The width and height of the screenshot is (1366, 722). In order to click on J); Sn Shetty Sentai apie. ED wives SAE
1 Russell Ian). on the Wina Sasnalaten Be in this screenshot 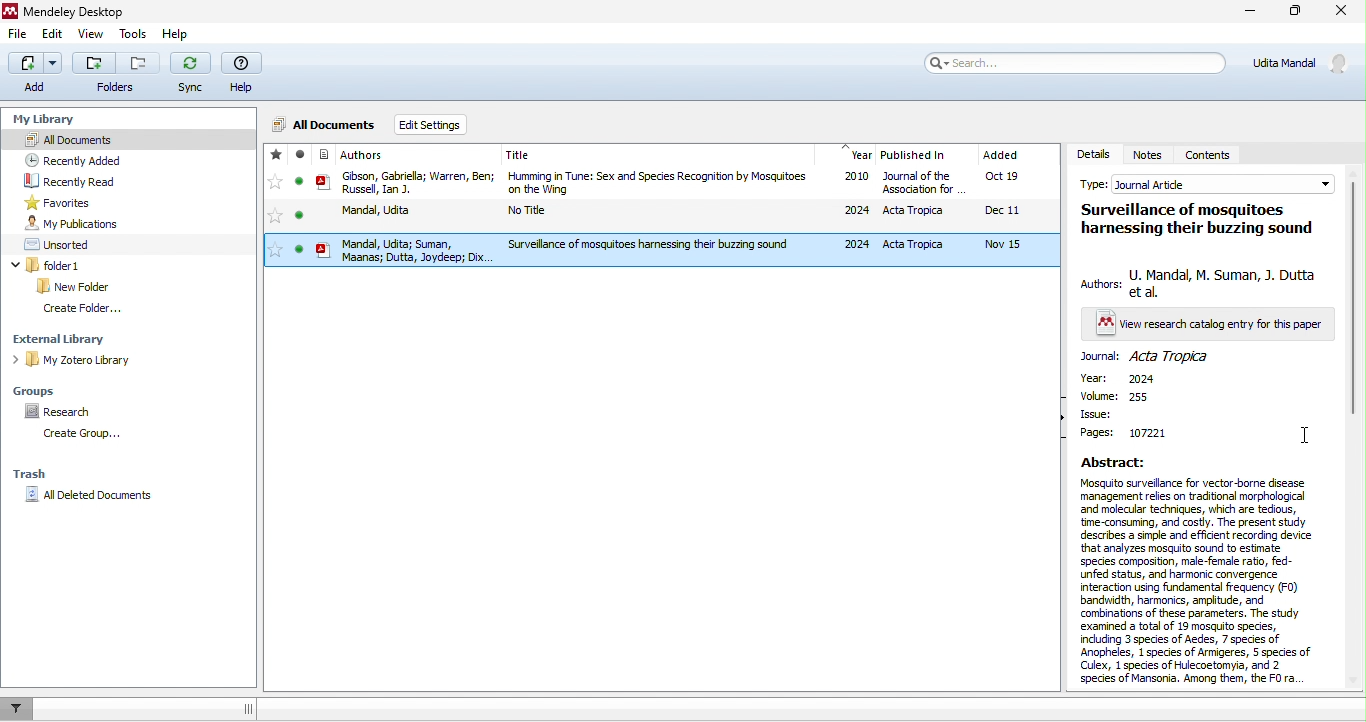, I will do `click(666, 183)`.